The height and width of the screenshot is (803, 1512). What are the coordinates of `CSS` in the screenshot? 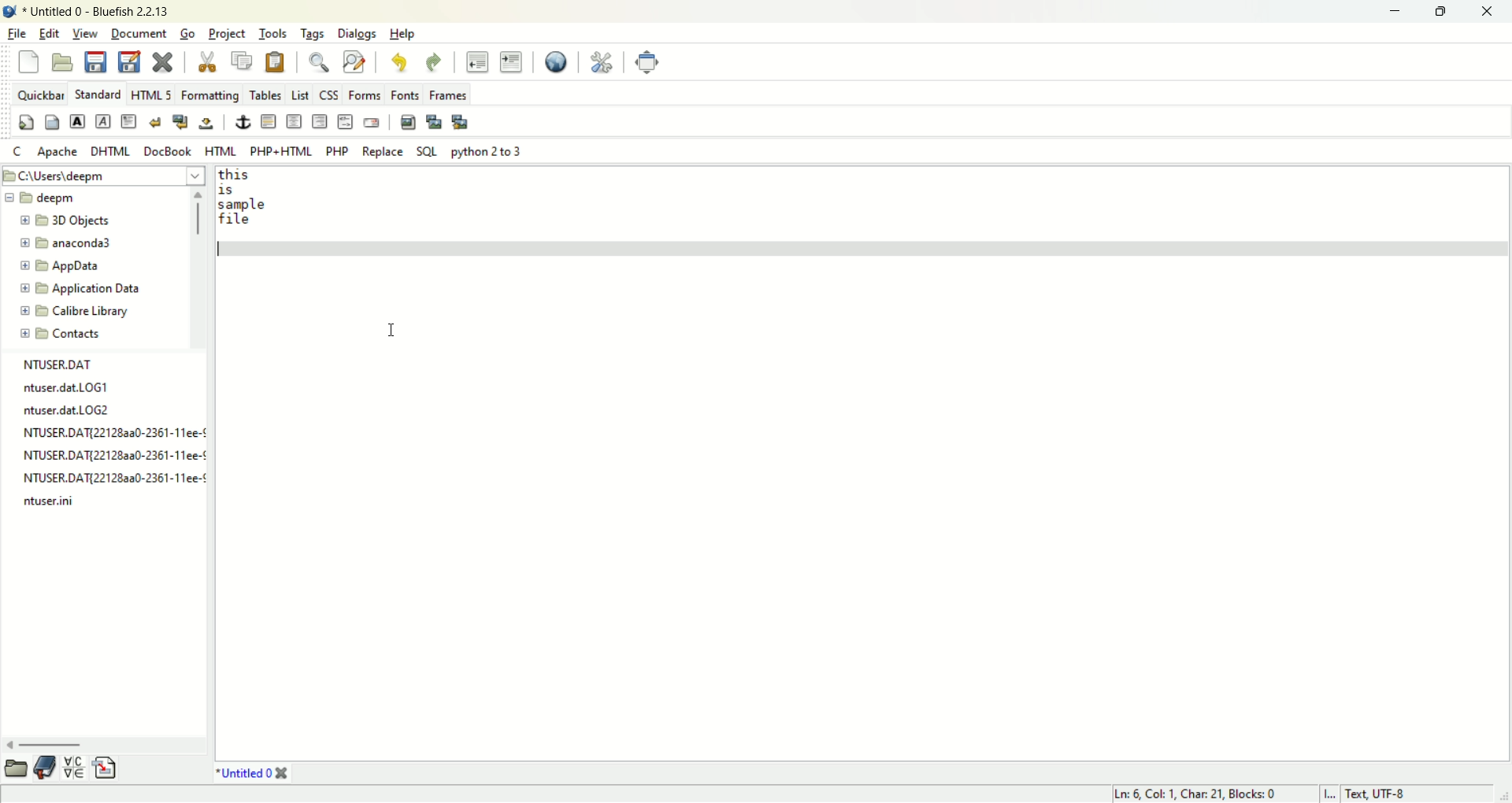 It's located at (331, 94).